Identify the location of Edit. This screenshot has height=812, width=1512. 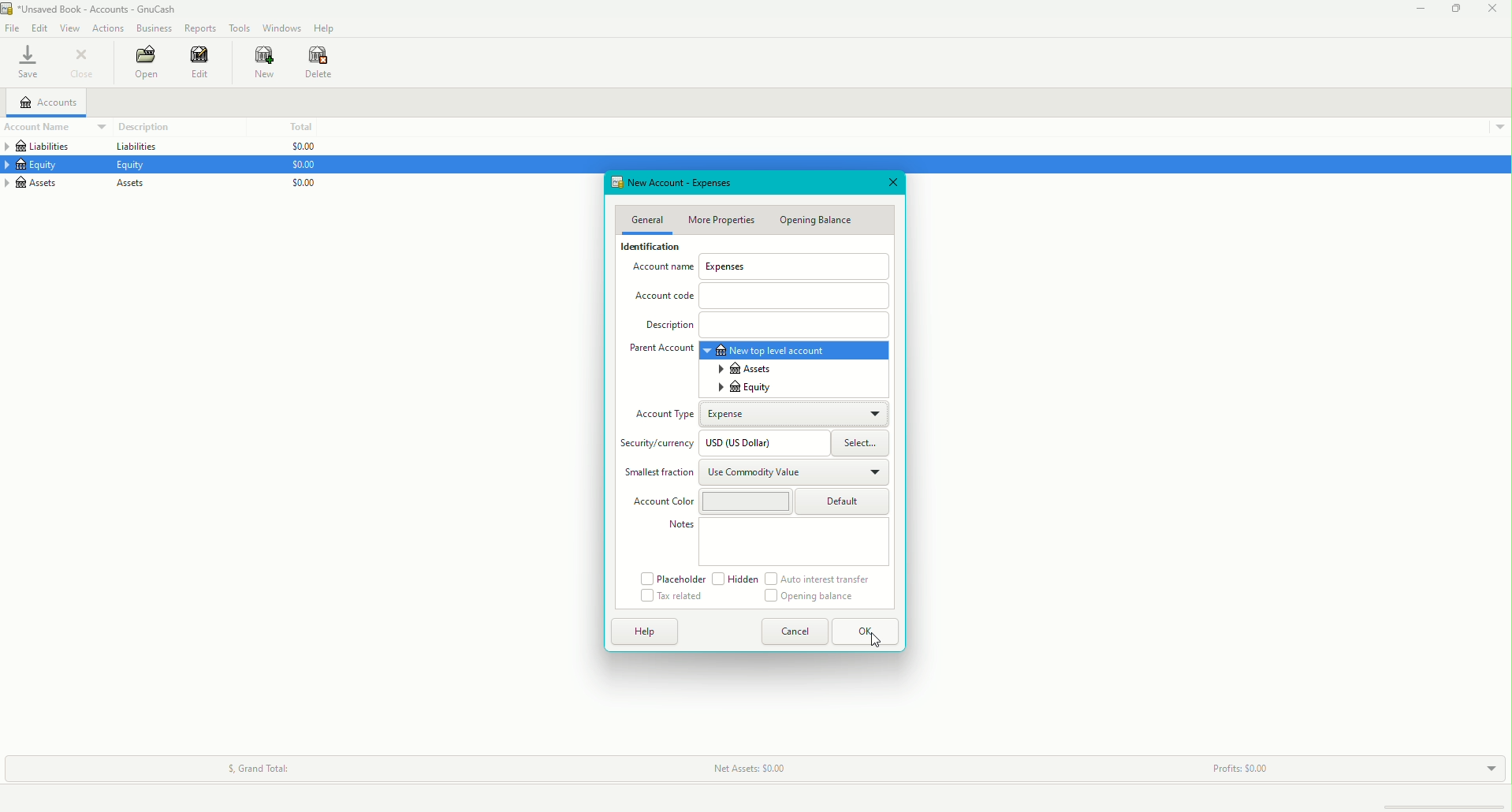
(203, 64).